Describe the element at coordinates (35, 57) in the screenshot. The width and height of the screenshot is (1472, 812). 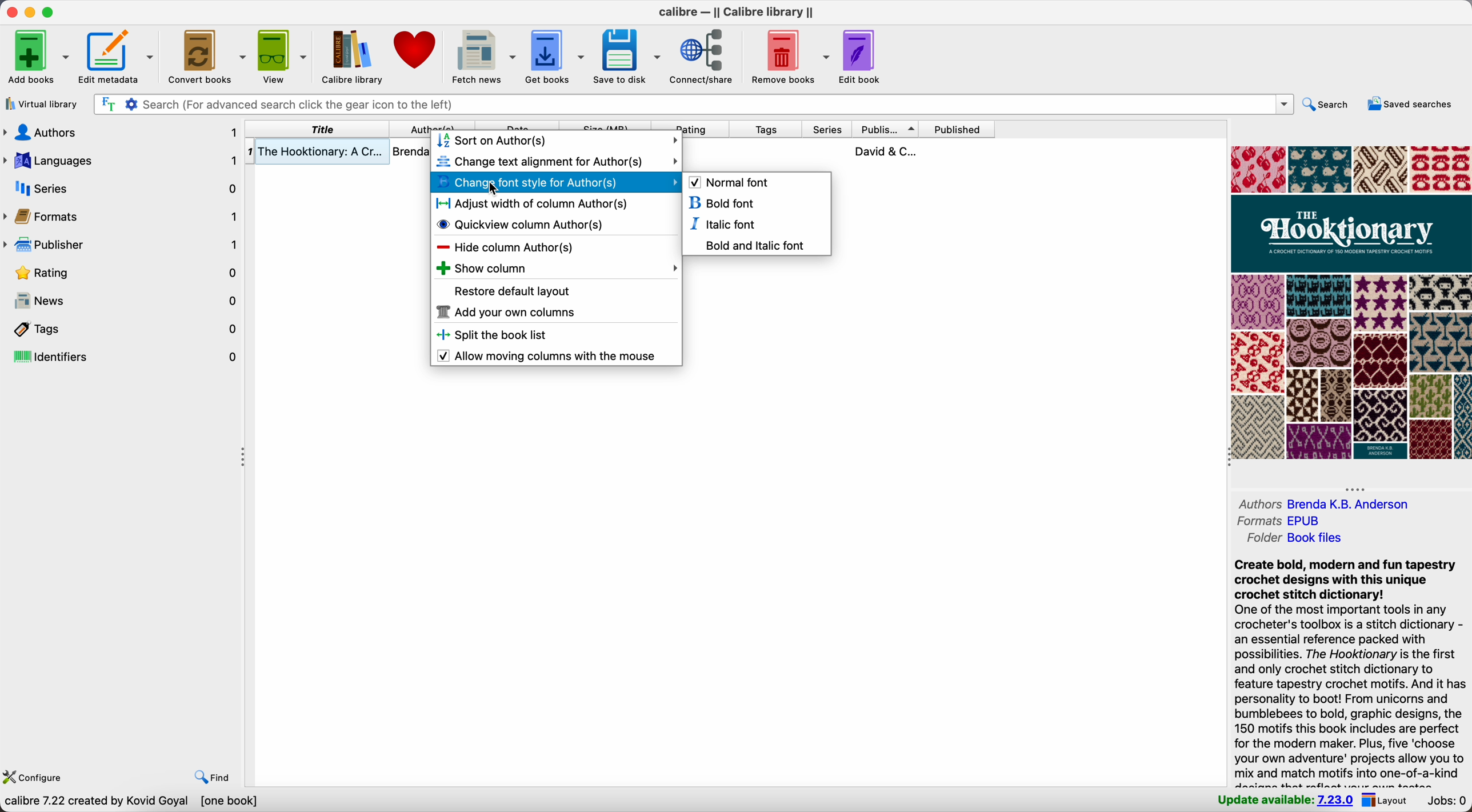
I see `add books` at that location.